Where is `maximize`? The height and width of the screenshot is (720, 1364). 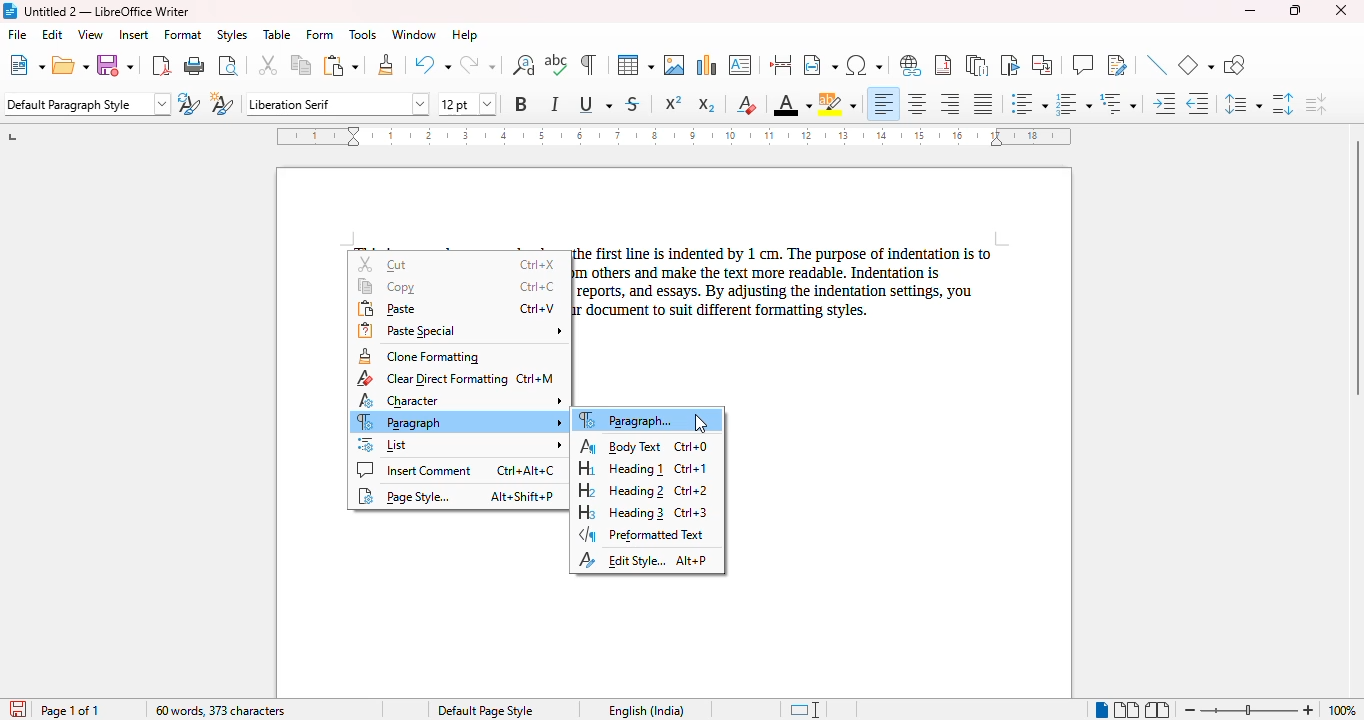 maximize is located at coordinates (1296, 10).